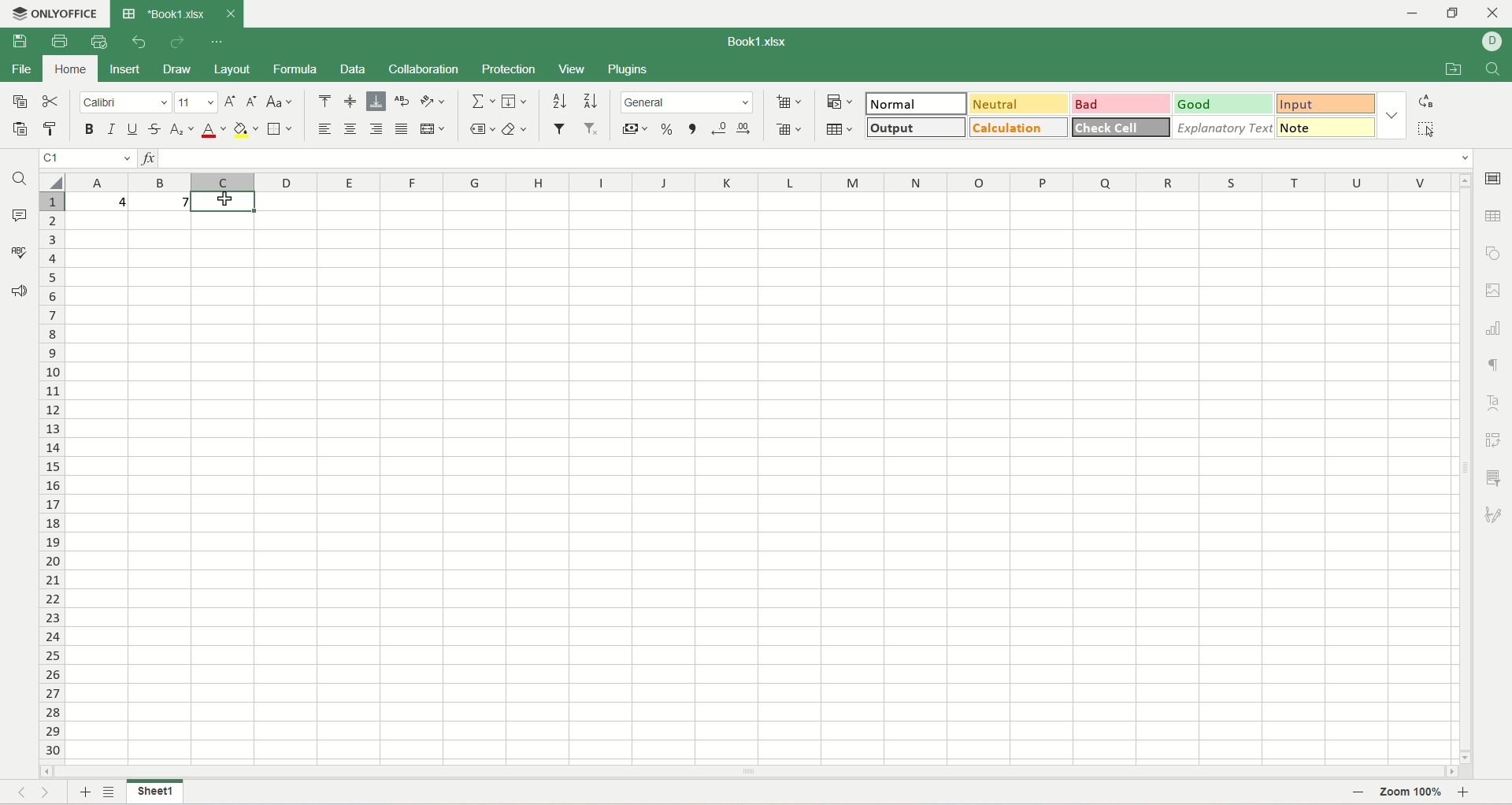 The height and width of the screenshot is (805, 1512). Describe the element at coordinates (1493, 221) in the screenshot. I see `table settings` at that location.